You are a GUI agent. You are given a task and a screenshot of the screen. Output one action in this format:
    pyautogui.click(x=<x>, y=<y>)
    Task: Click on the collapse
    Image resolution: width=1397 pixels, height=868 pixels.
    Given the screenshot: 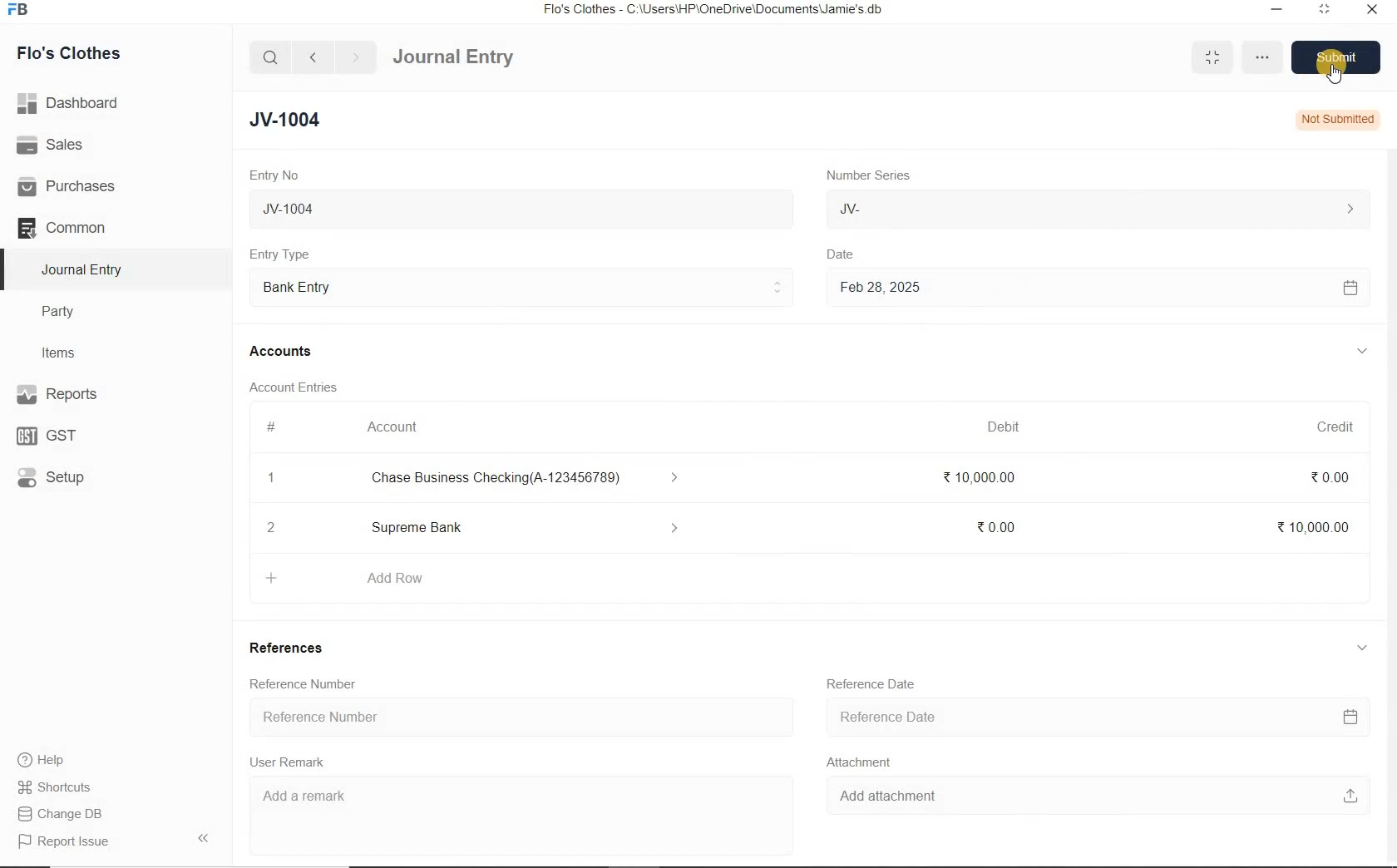 What is the action you would take?
    pyautogui.click(x=1359, y=645)
    